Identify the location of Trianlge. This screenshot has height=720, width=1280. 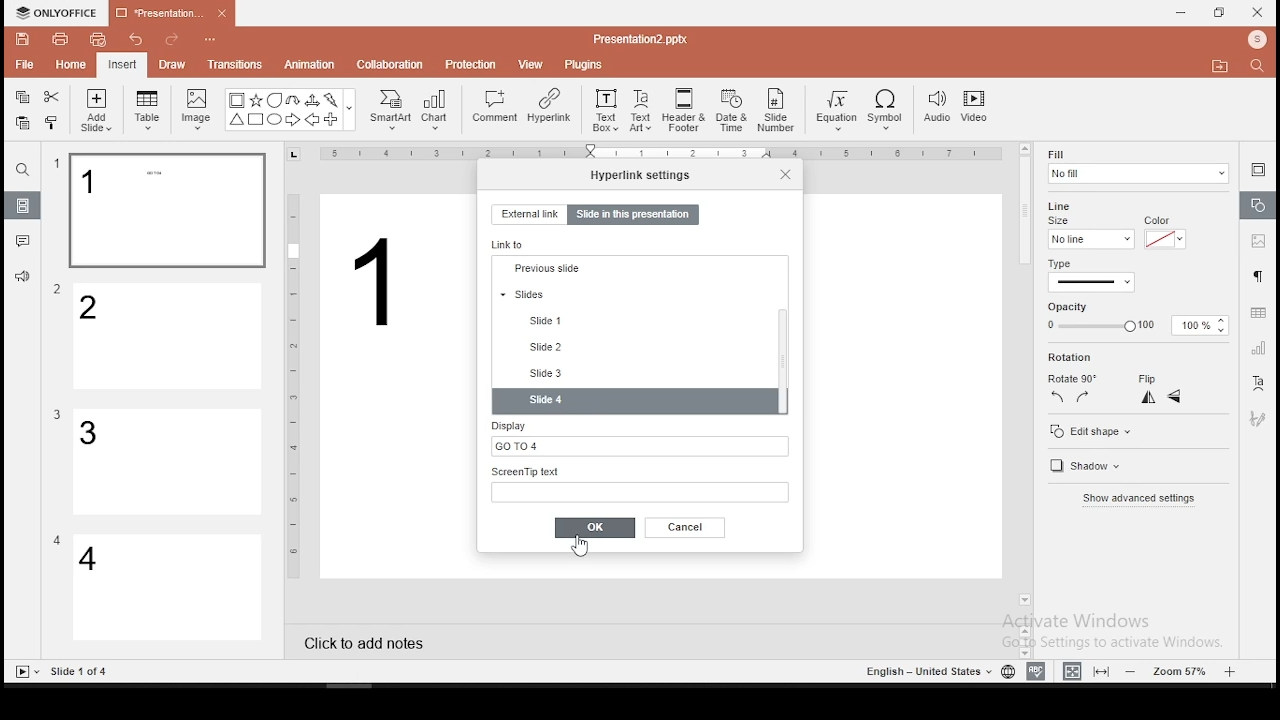
(235, 120).